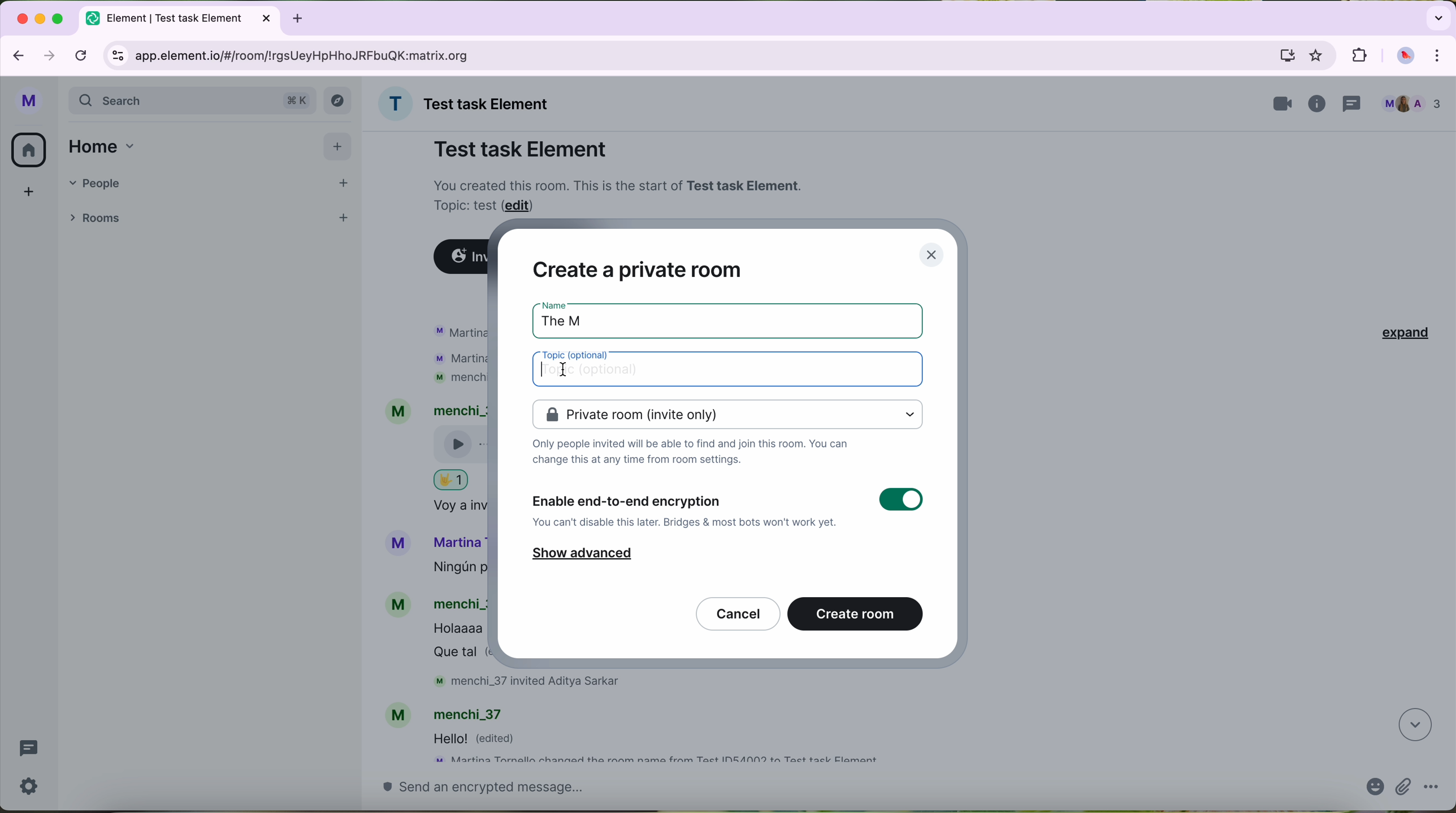 This screenshot has width=1456, height=813. What do you see at coordinates (313, 55) in the screenshot?
I see `URL` at bounding box center [313, 55].